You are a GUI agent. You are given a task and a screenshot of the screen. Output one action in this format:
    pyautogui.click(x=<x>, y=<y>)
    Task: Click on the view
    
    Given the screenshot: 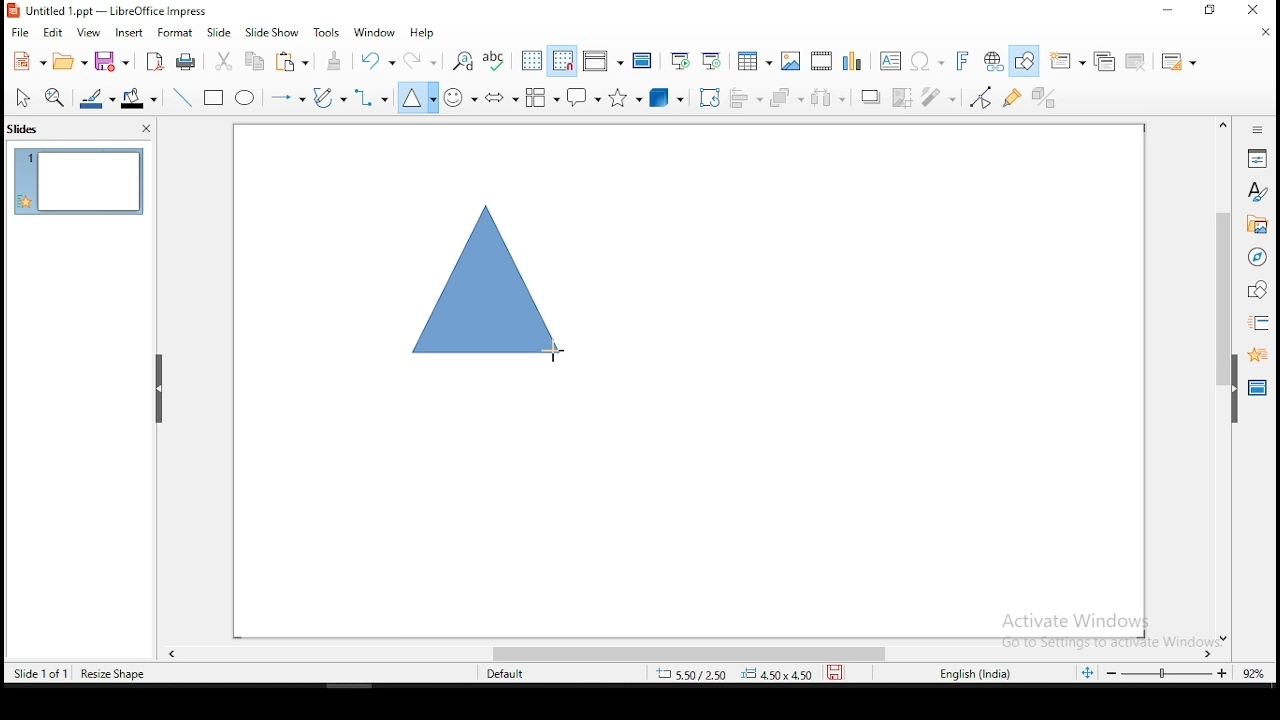 What is the action you would take?
    pyautogui.click(x=88, y=34)
    